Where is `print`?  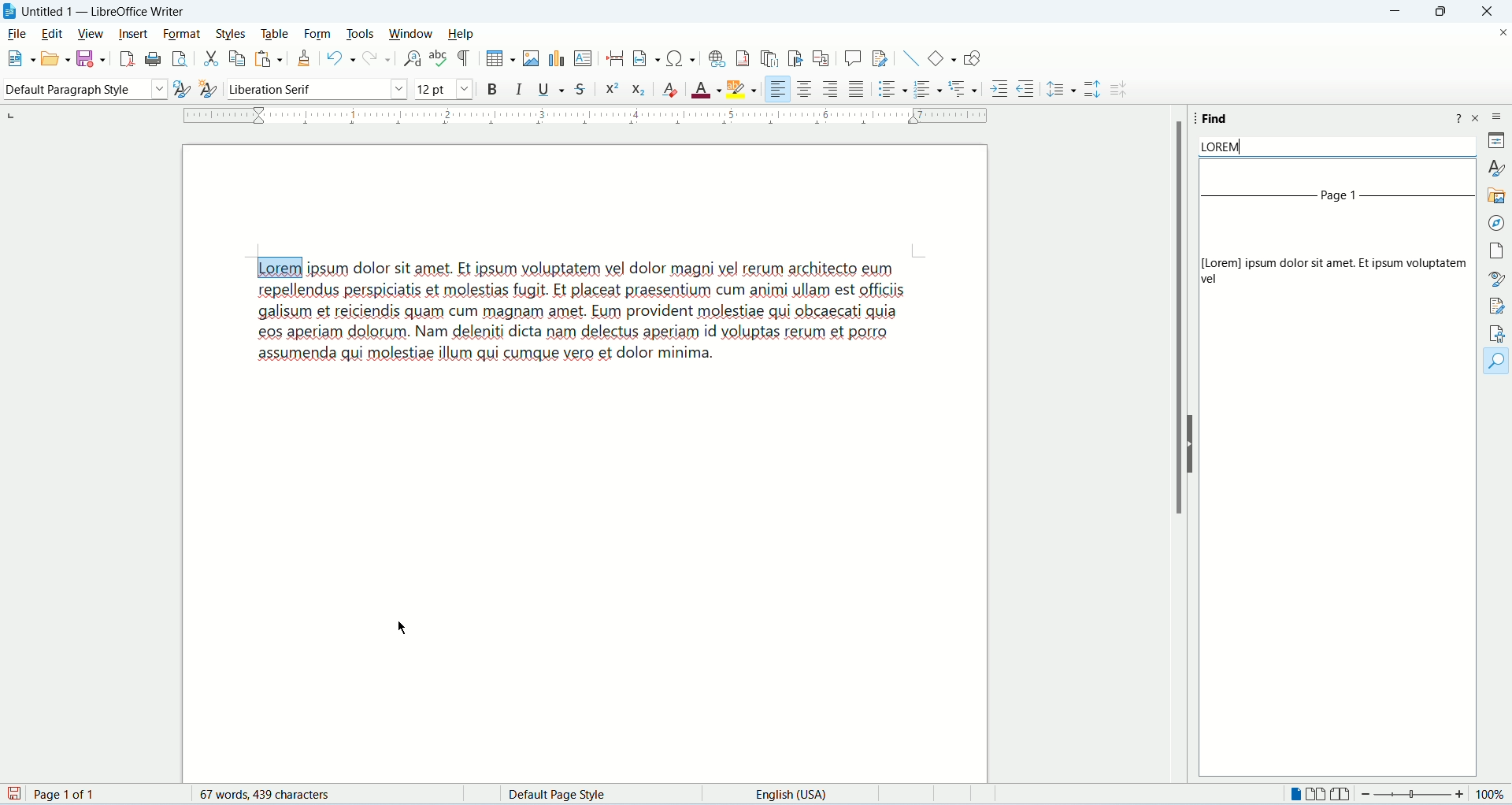
print is located at coordinates (152, 59).